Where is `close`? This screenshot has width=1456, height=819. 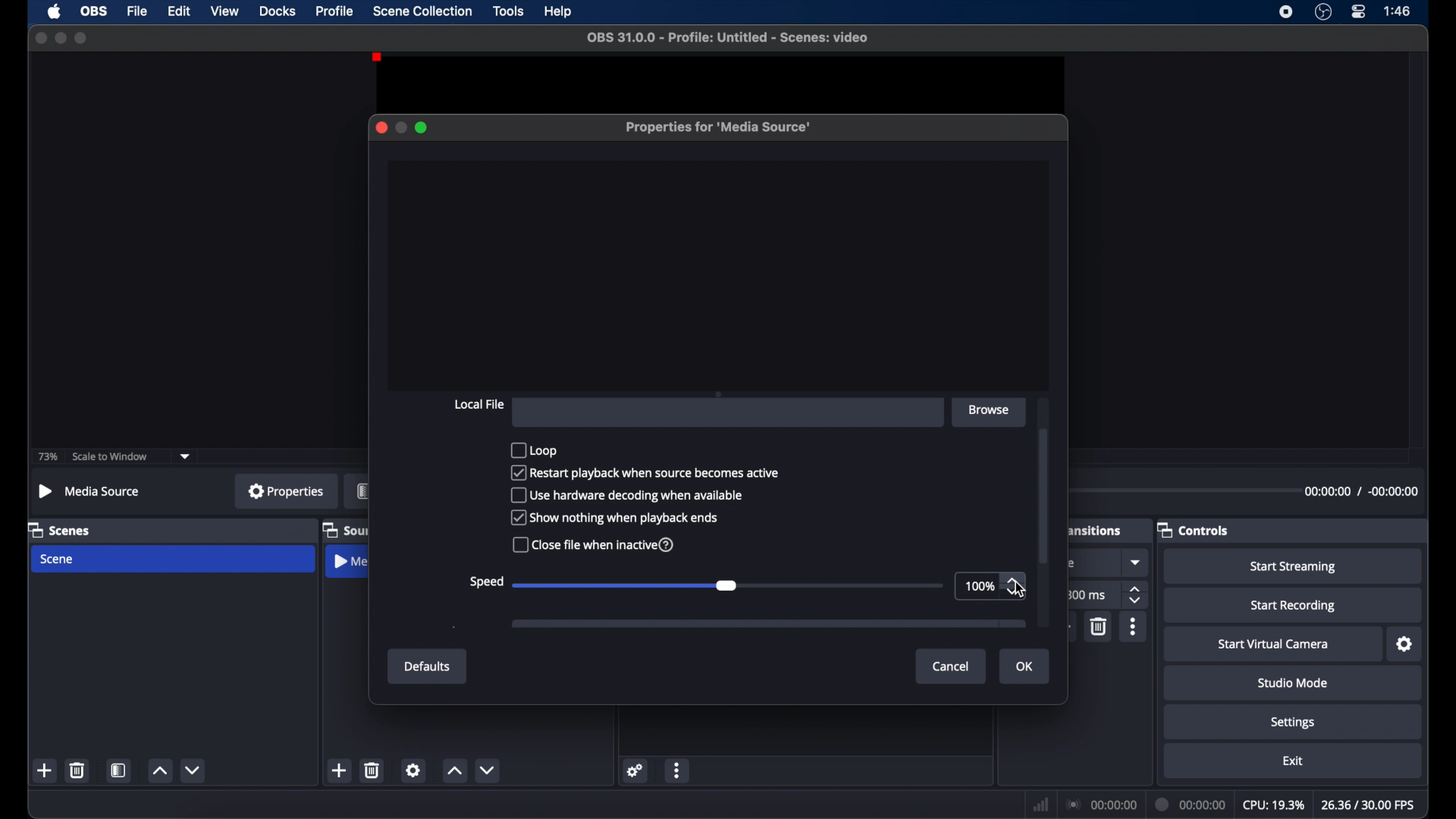
close is located at coordinates (381, 127).